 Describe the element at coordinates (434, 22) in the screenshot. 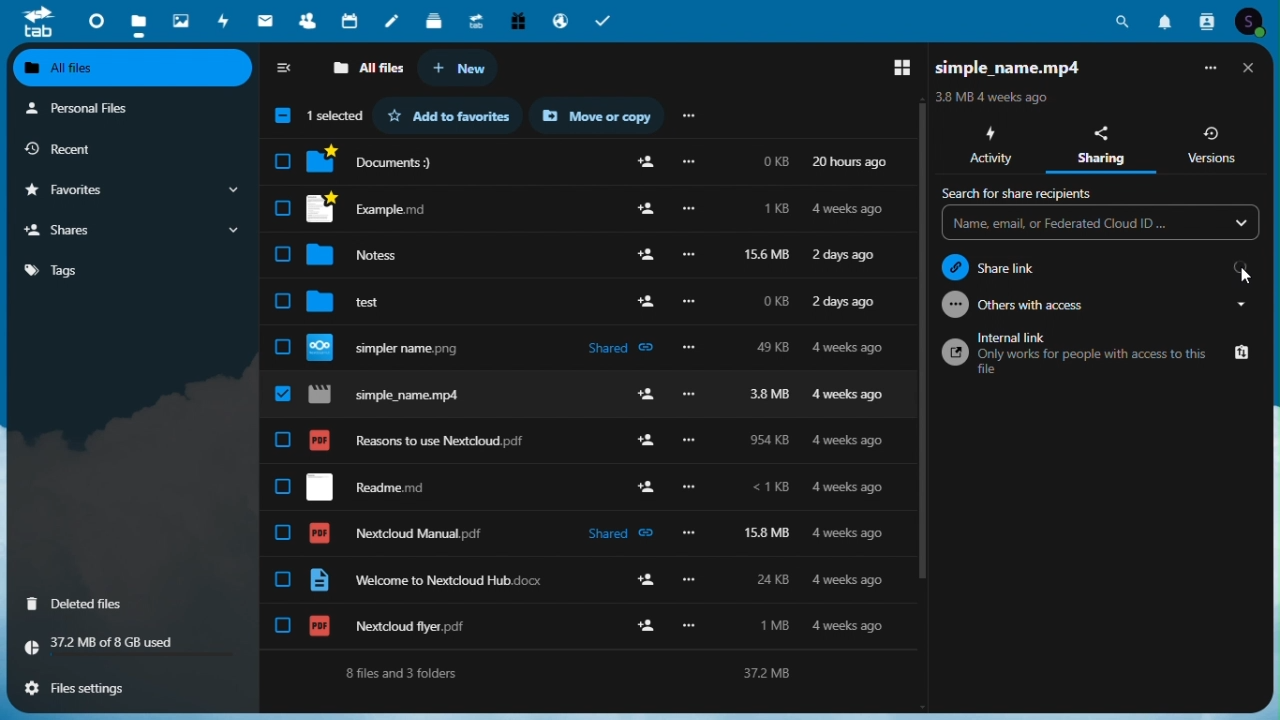

I see `deck` at that location.